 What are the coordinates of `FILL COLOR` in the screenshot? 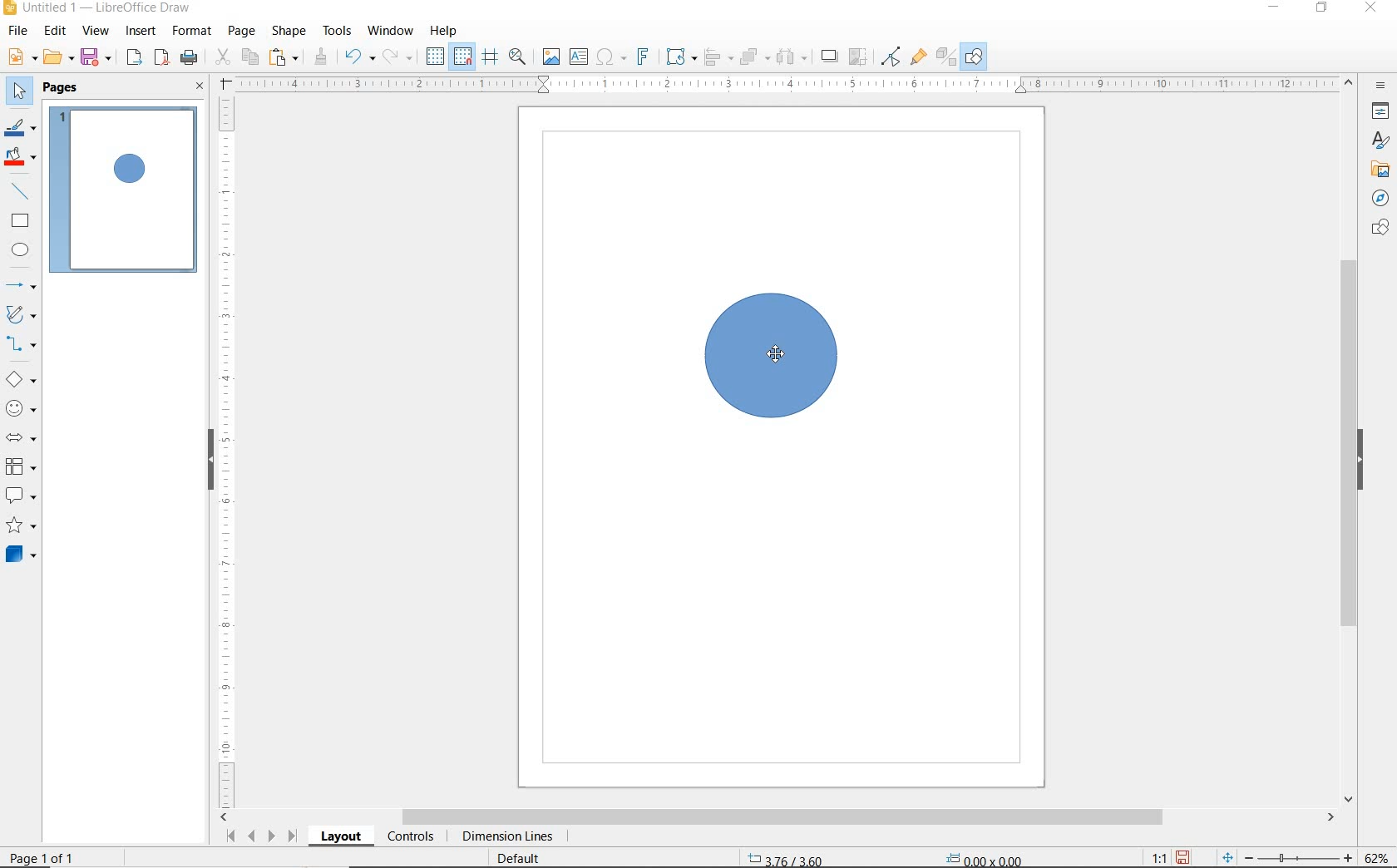 It's located at (22, 158).